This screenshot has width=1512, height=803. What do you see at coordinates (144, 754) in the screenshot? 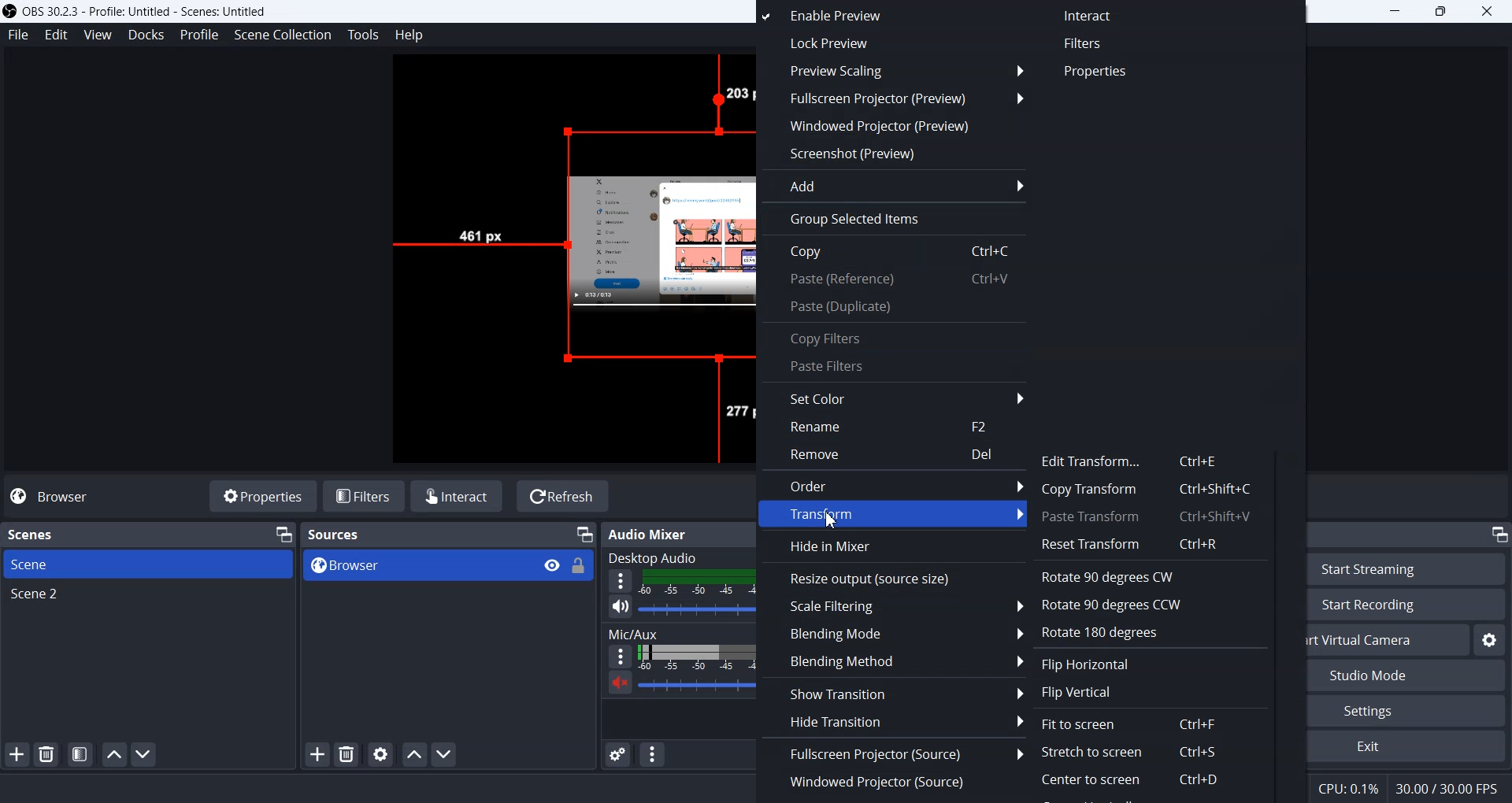
I see `Move scene down` at bounding box center [144, 754].